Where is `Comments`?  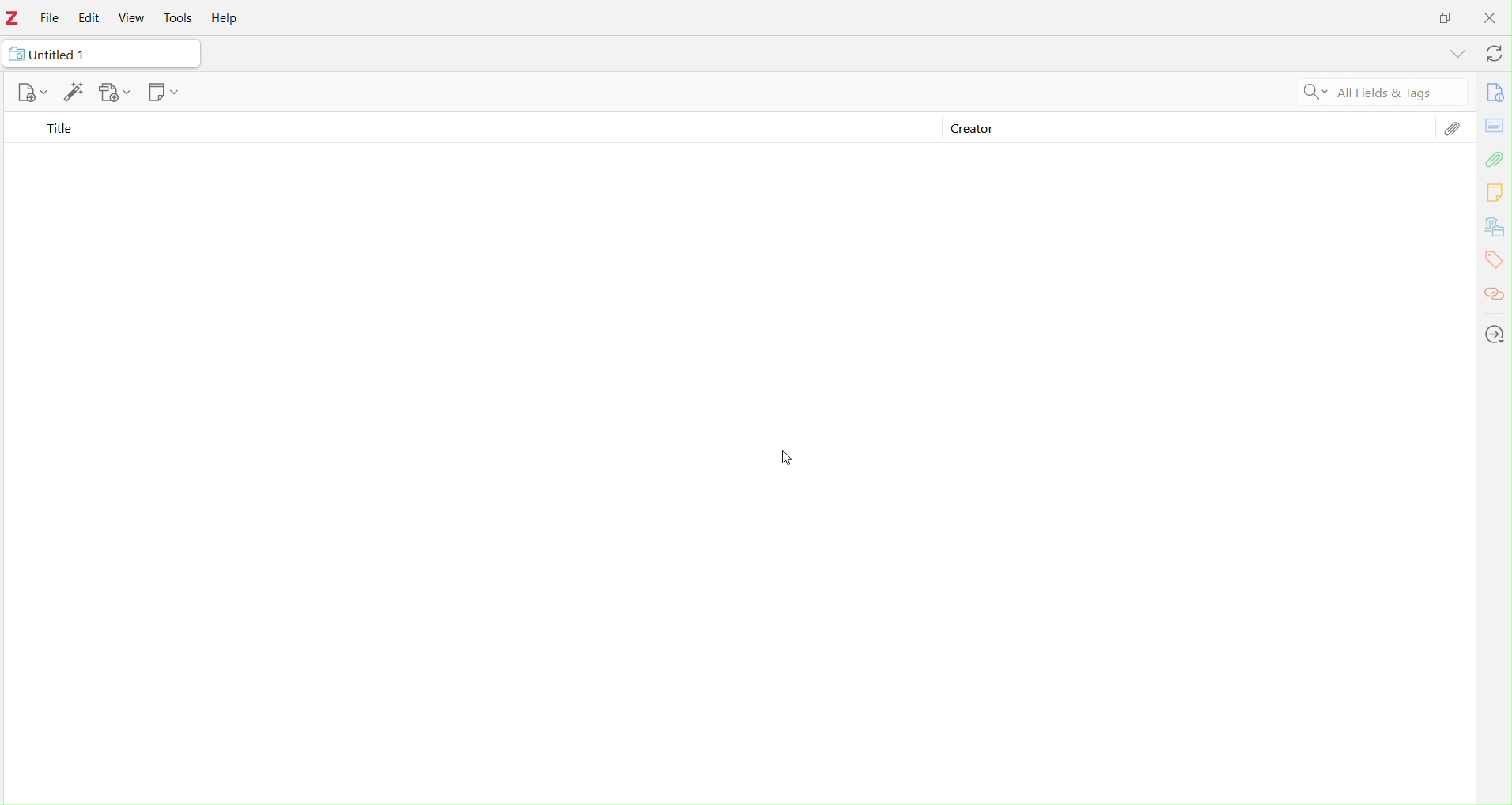 Comments is located at coordinates (1495, 194).